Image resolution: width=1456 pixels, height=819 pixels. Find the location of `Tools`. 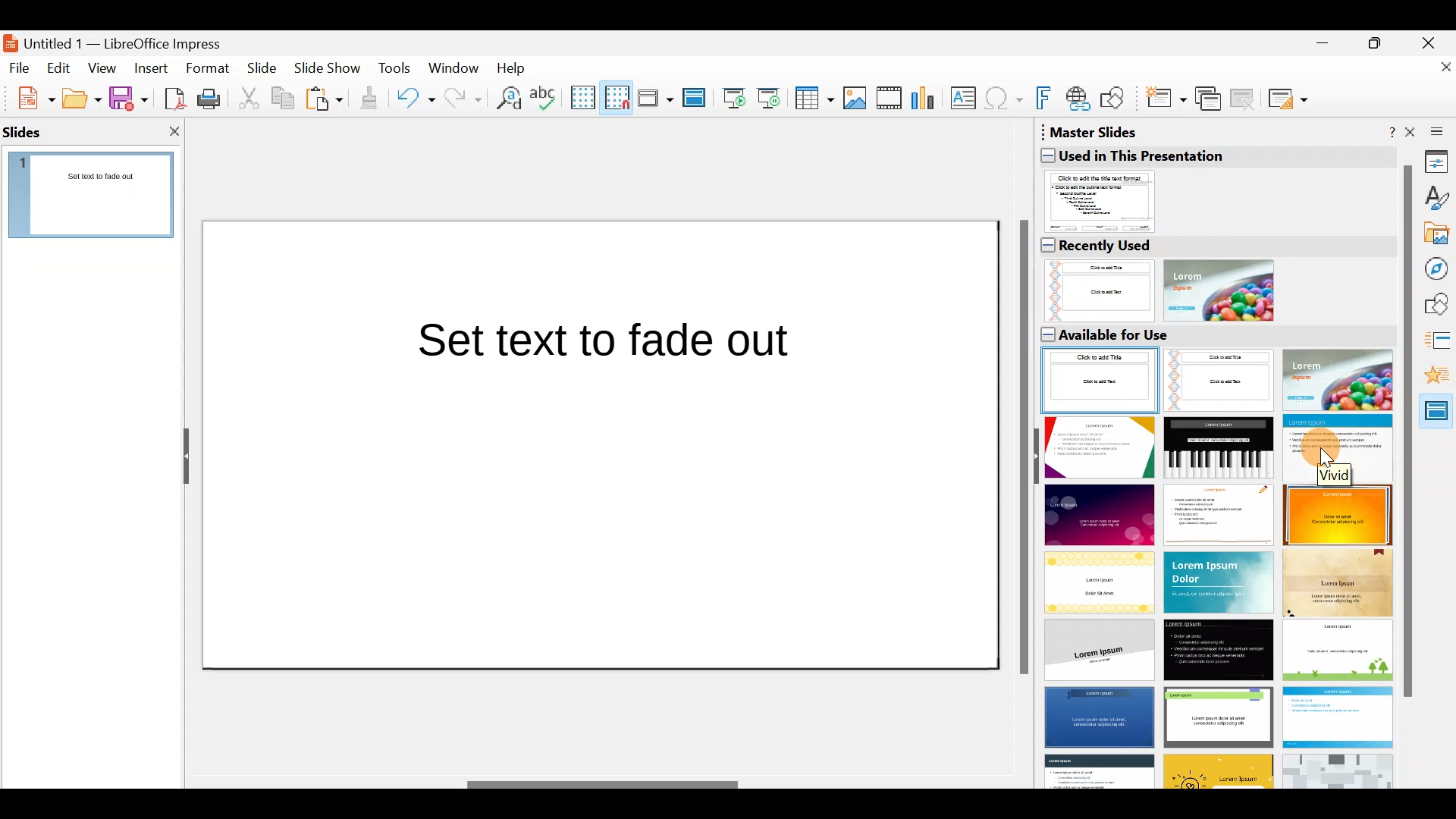

Tools is located at coordinates (396, 71).